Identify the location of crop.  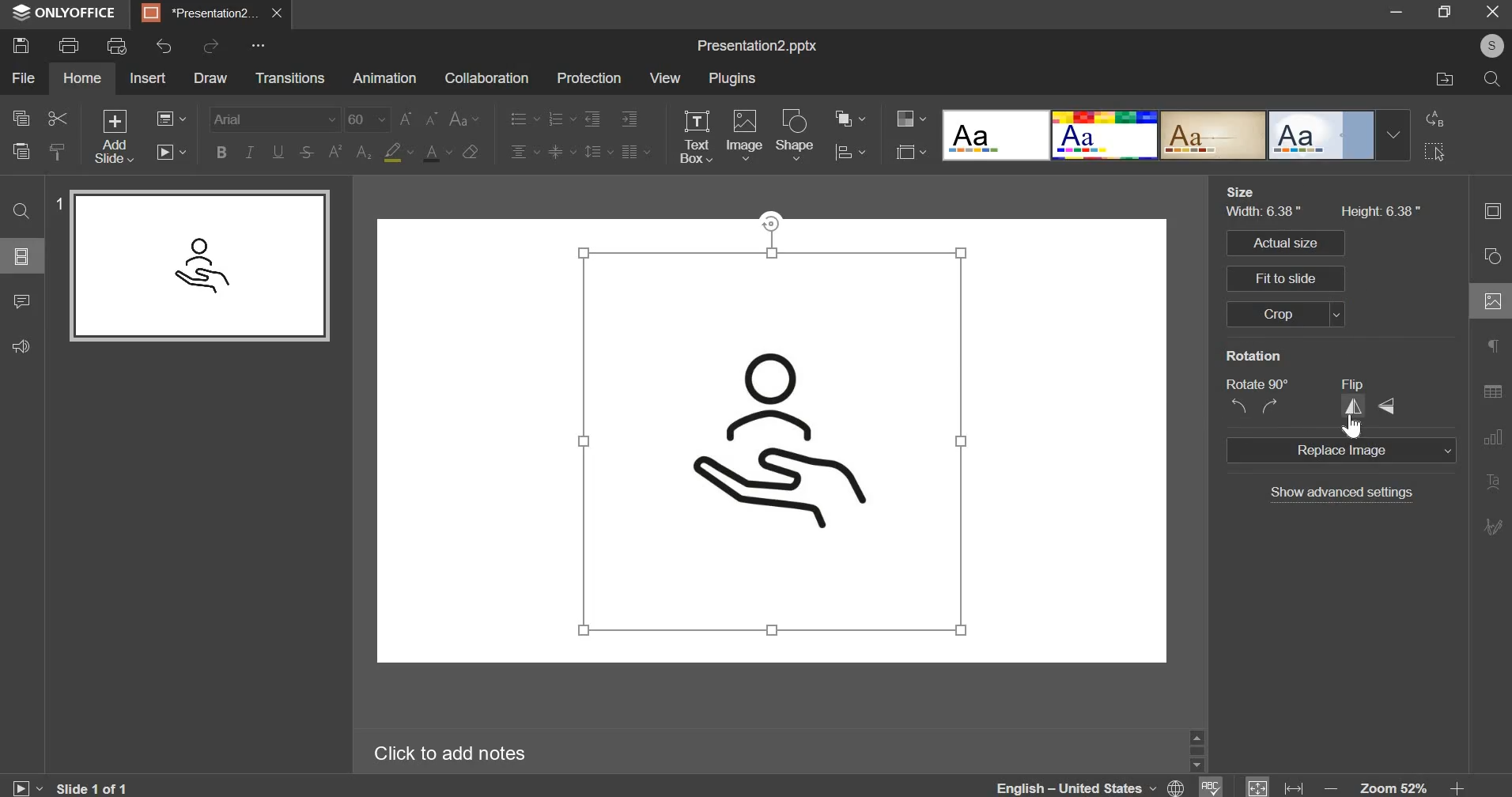
(1297, 312).